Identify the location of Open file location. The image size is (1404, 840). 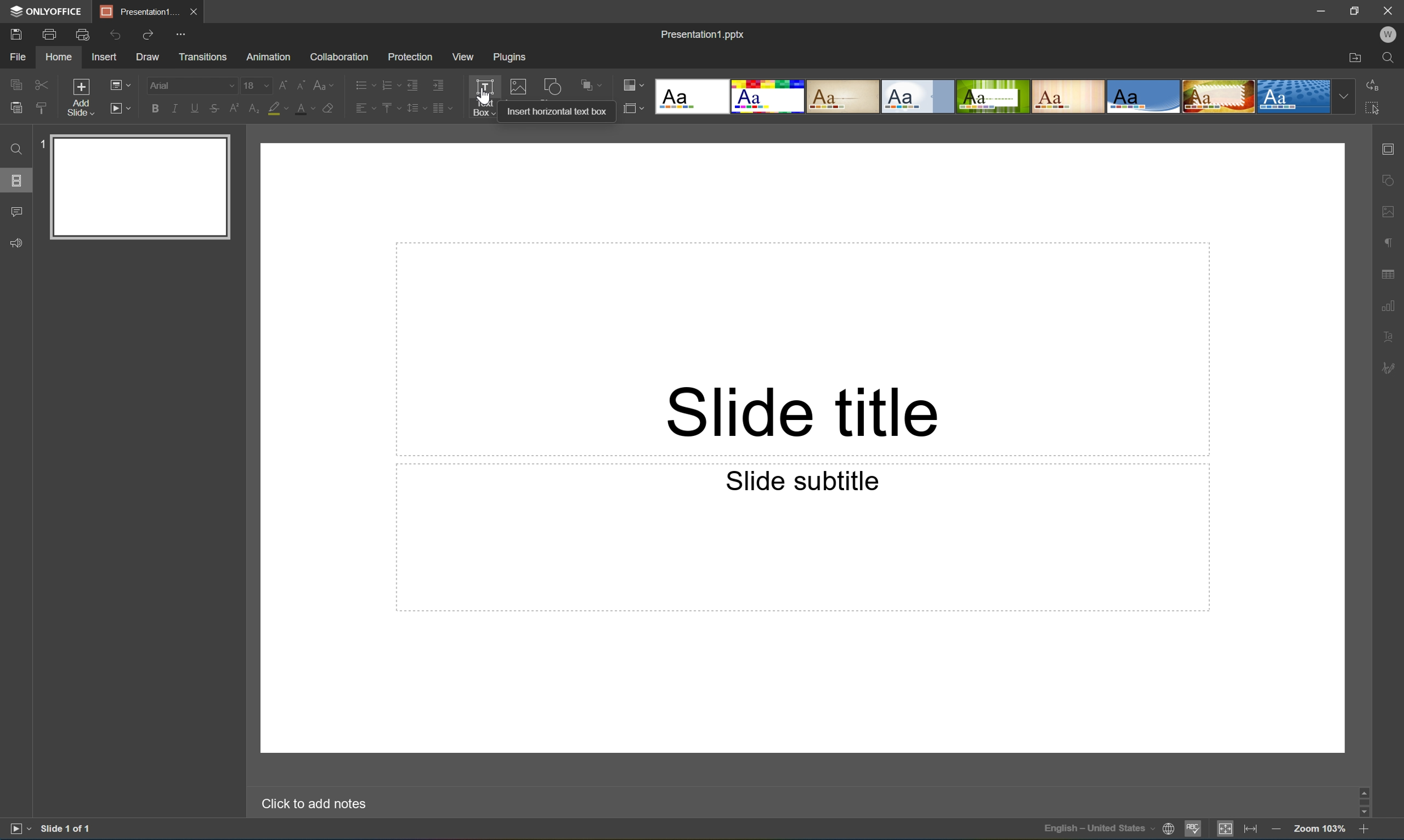
(1355, 59).